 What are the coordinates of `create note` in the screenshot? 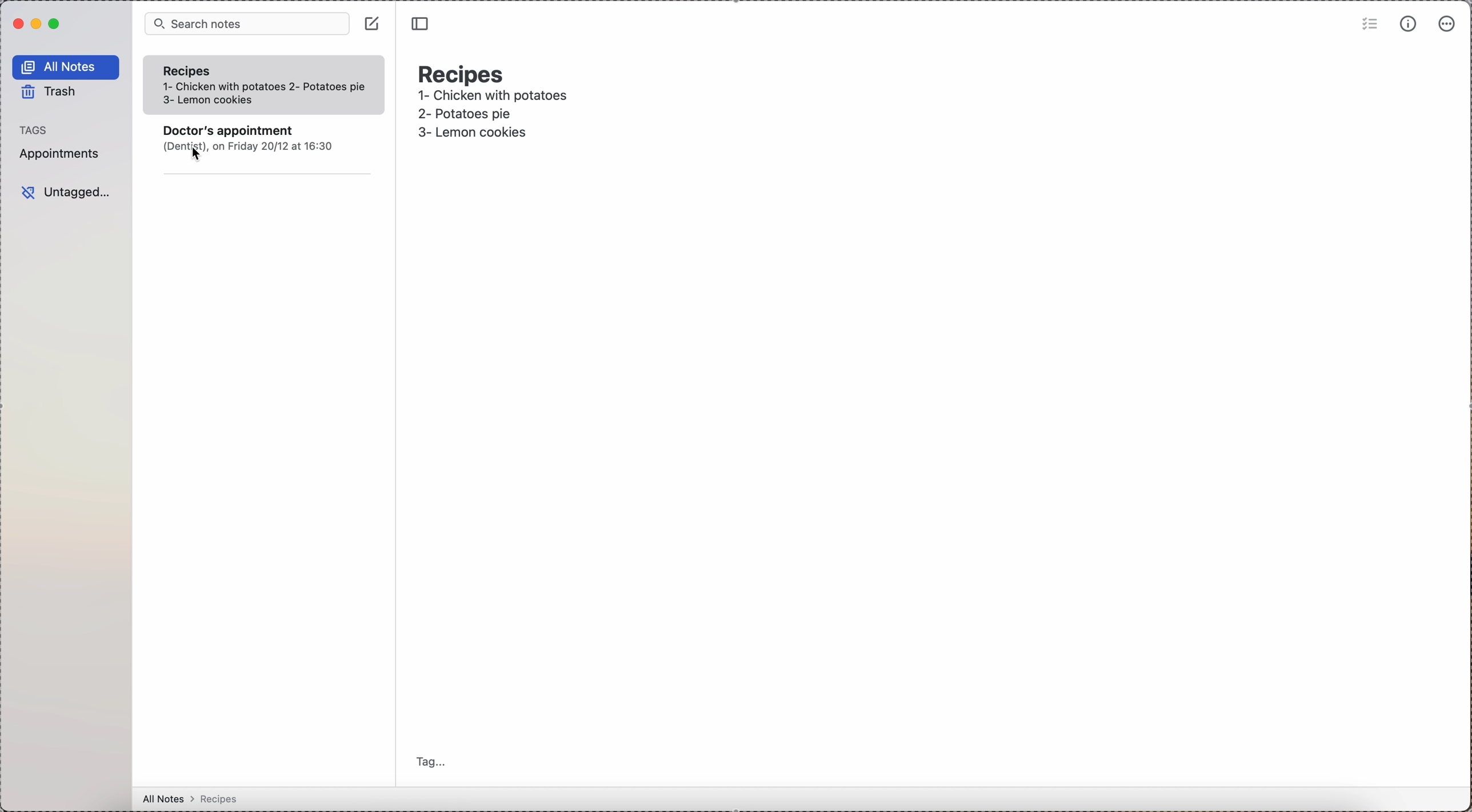 It's located at (373, 25).